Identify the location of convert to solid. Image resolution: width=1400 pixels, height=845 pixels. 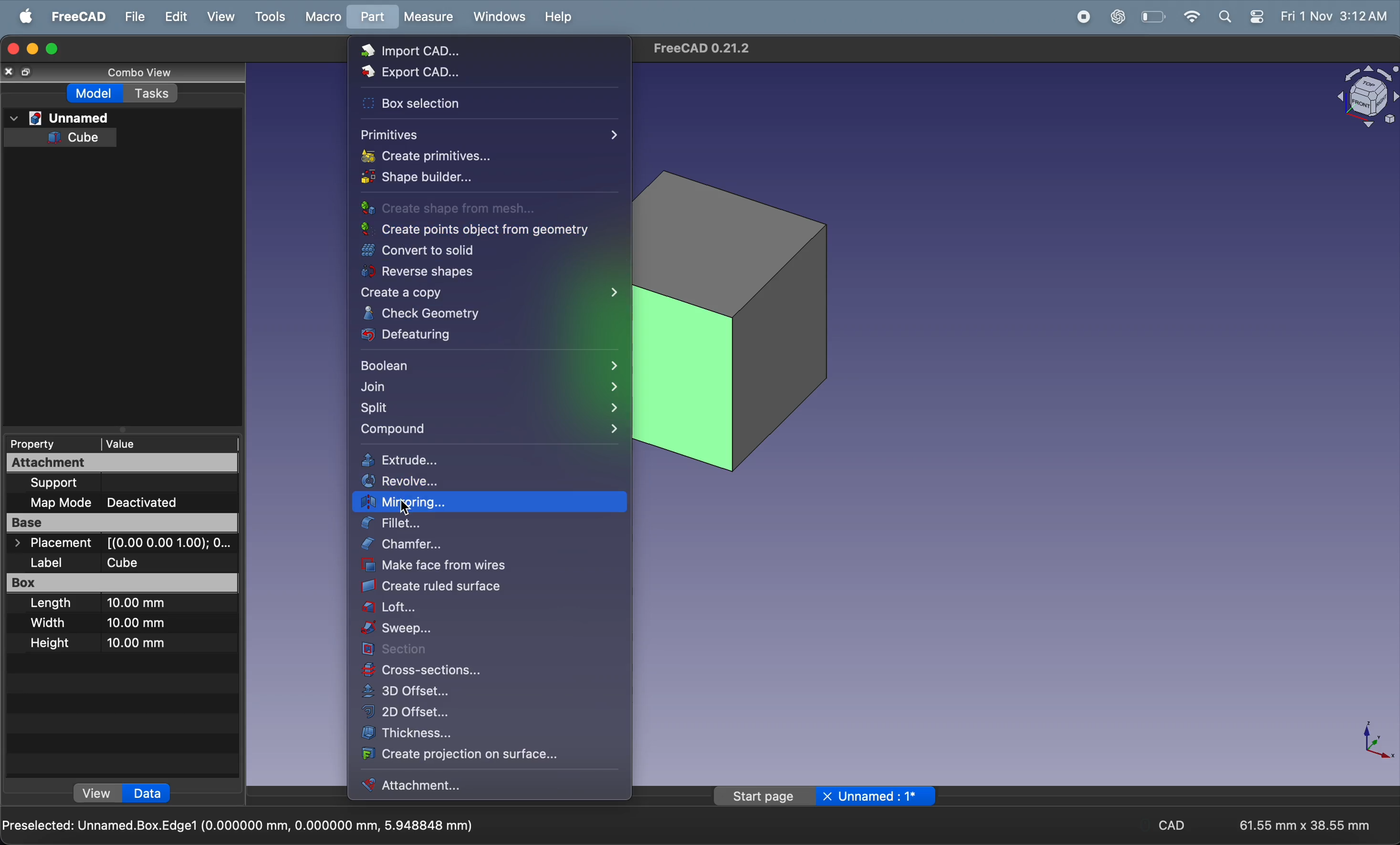
(463, 250).